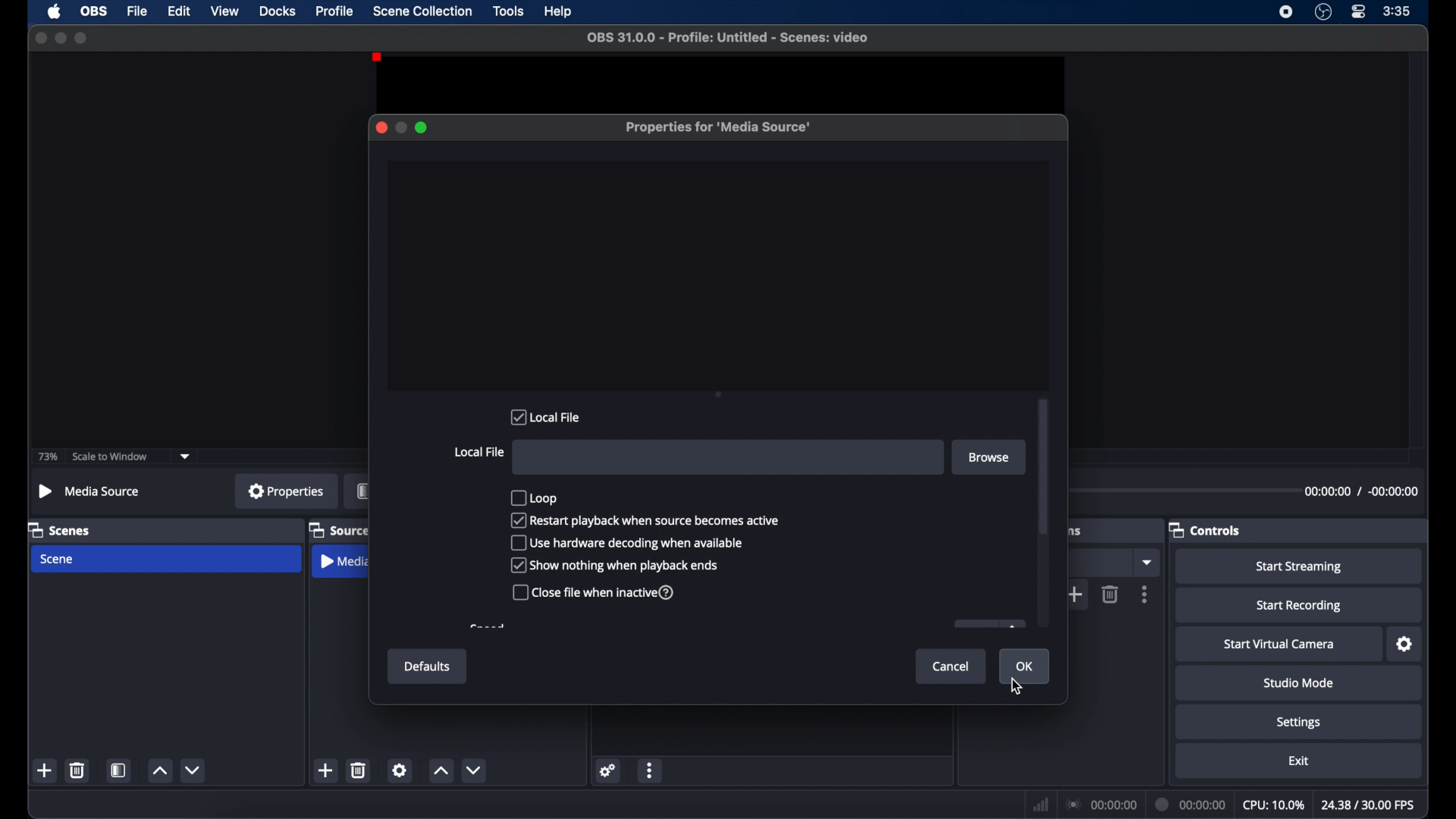  What do you see at coordinates (1397, 11) in the screenshot?
I see `time` at bounding box center [1397, 11].